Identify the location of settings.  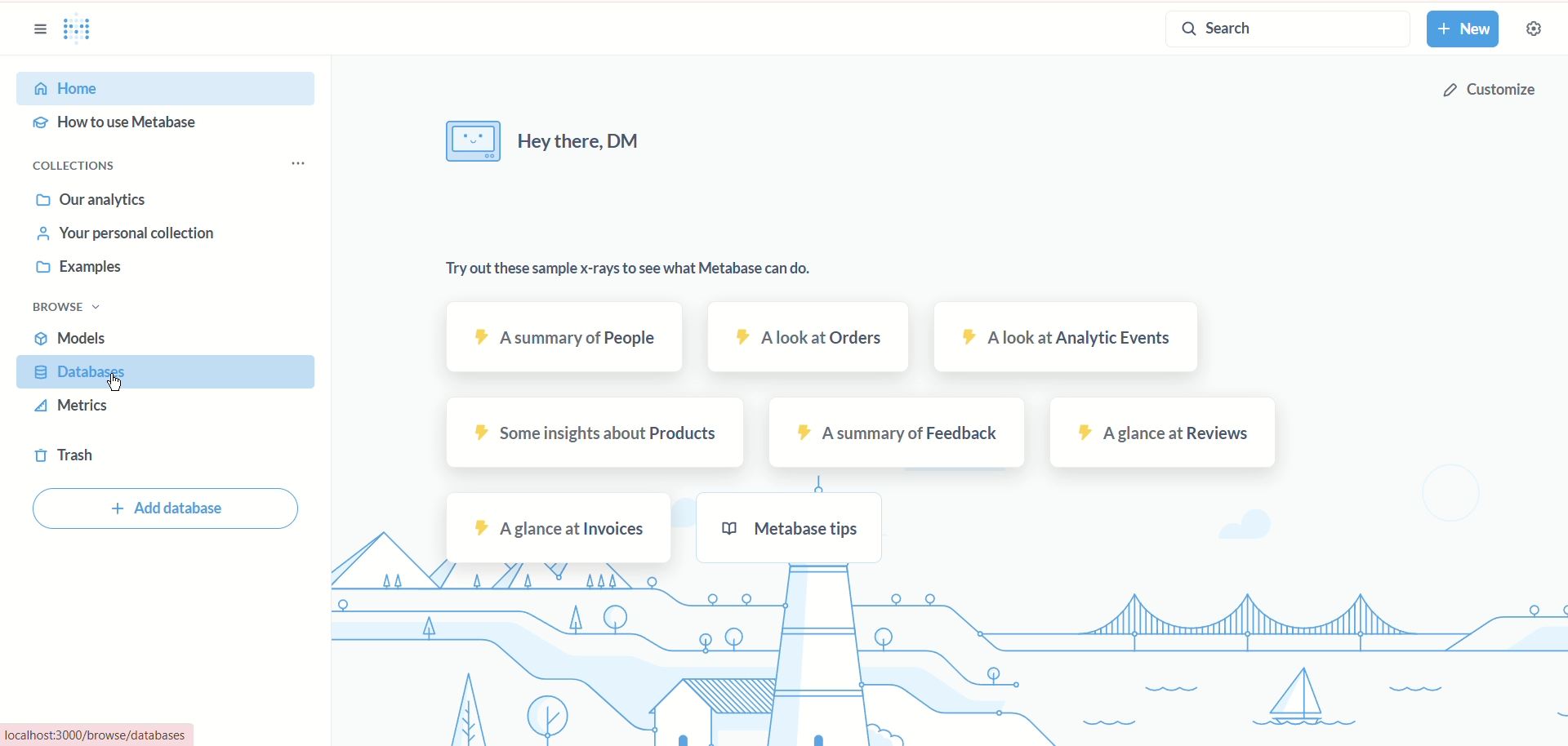
(1536, 29).